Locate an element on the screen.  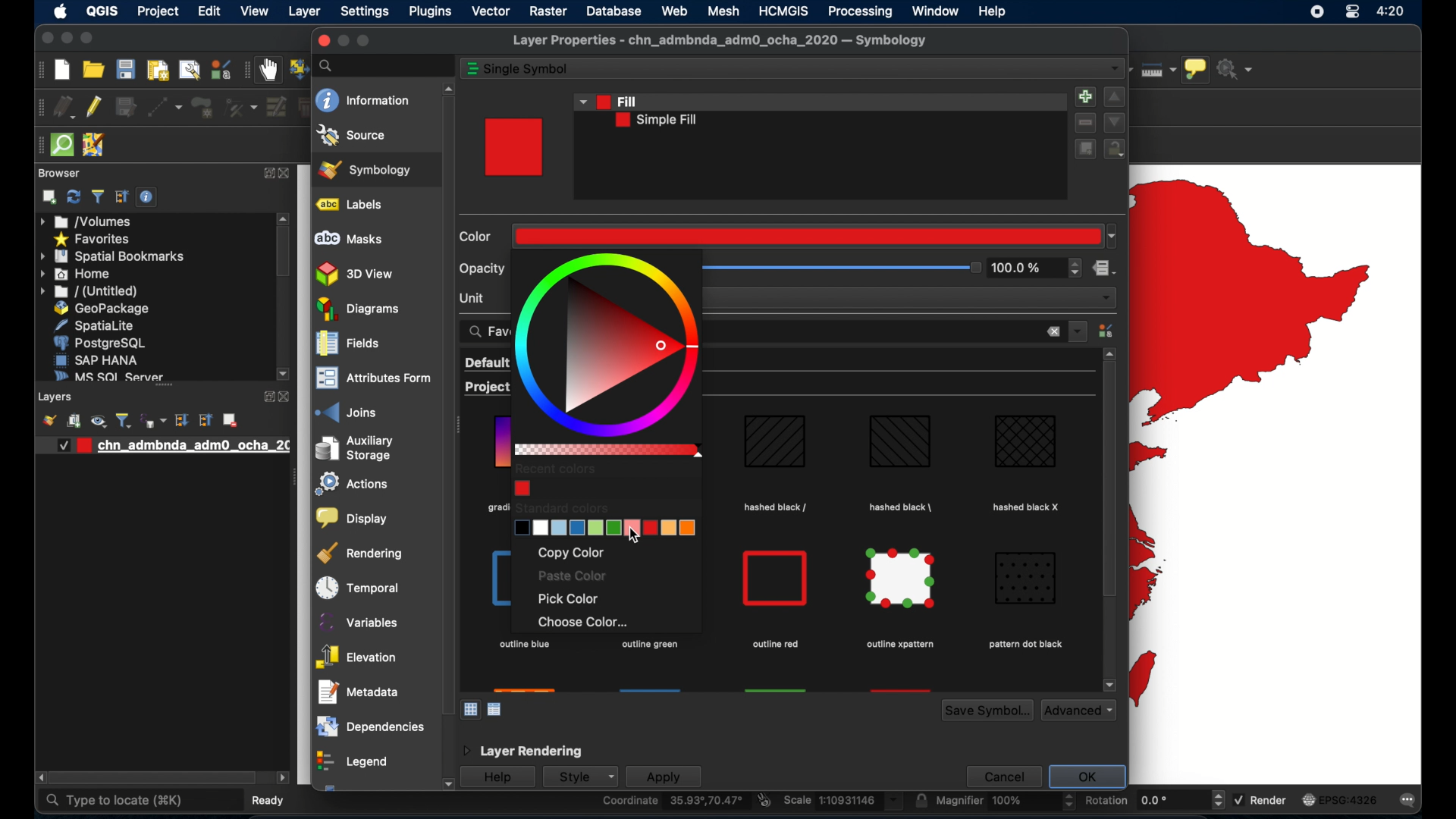
choose color is located at coordinates (583, 623).